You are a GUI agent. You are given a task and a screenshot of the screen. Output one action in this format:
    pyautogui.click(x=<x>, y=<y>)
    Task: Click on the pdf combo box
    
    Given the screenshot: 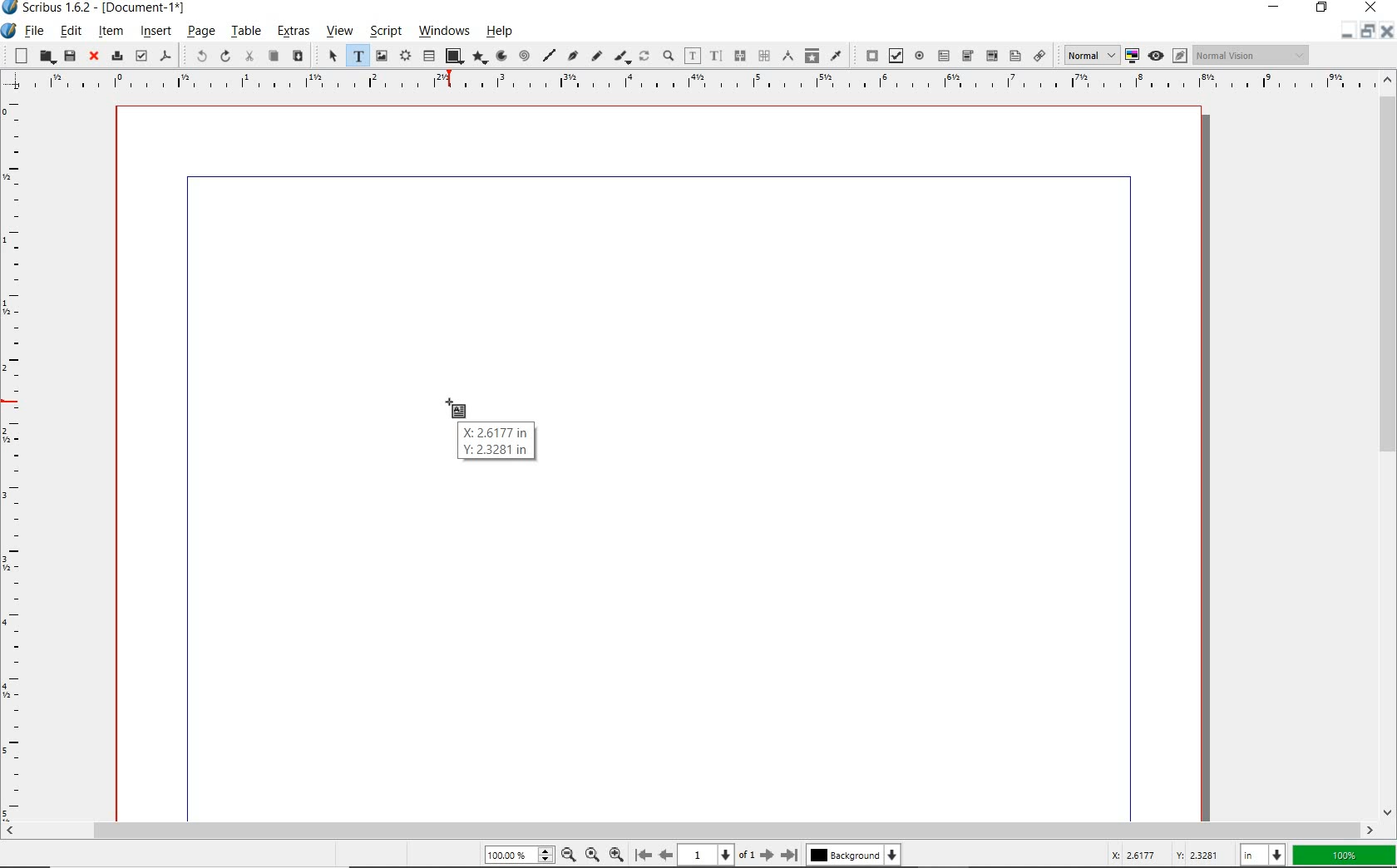 What is the action you would take?
    pyautogui.click(x=990, y=56)
    